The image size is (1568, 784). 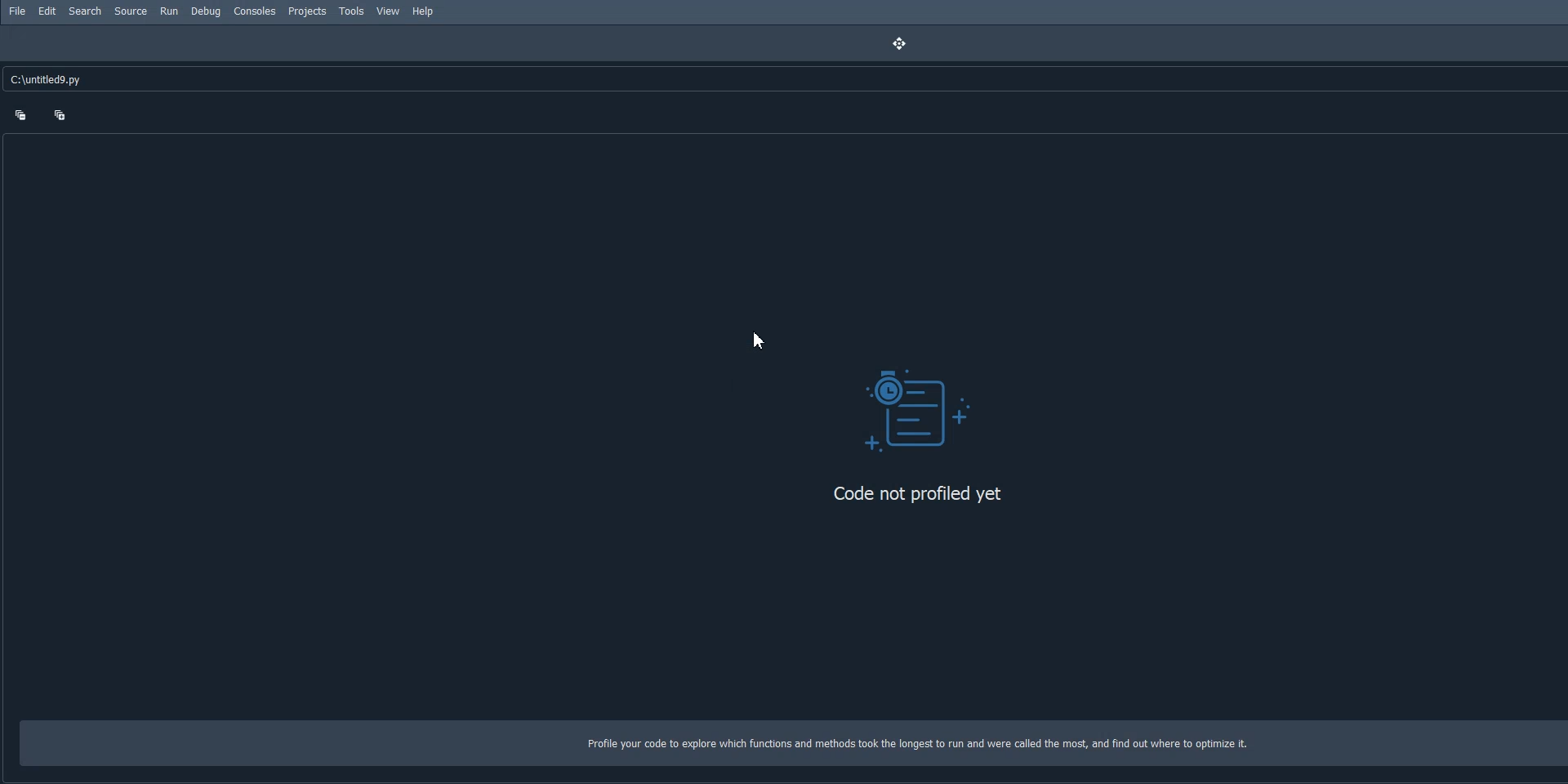 I want to click on Tools, so click(x=352, y=11).